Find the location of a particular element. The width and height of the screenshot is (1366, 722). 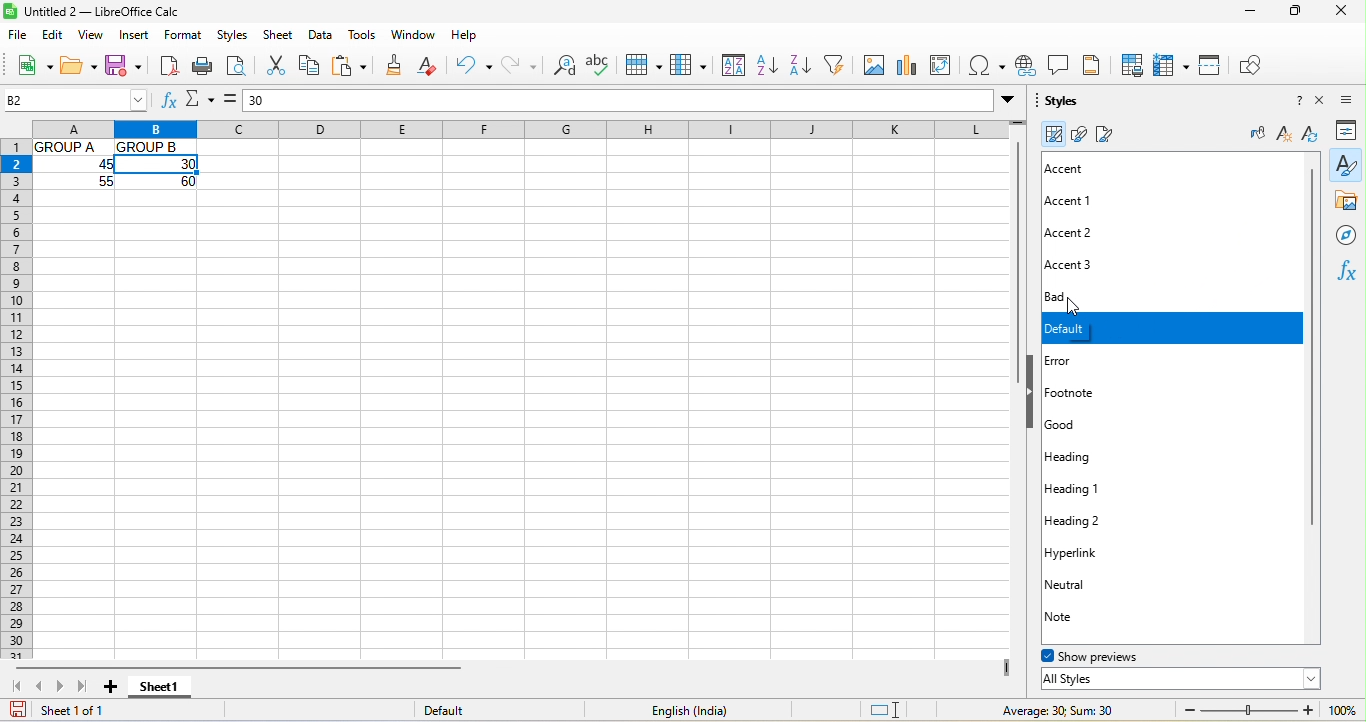

sidebar settings is located at coordinates (1352, 101).